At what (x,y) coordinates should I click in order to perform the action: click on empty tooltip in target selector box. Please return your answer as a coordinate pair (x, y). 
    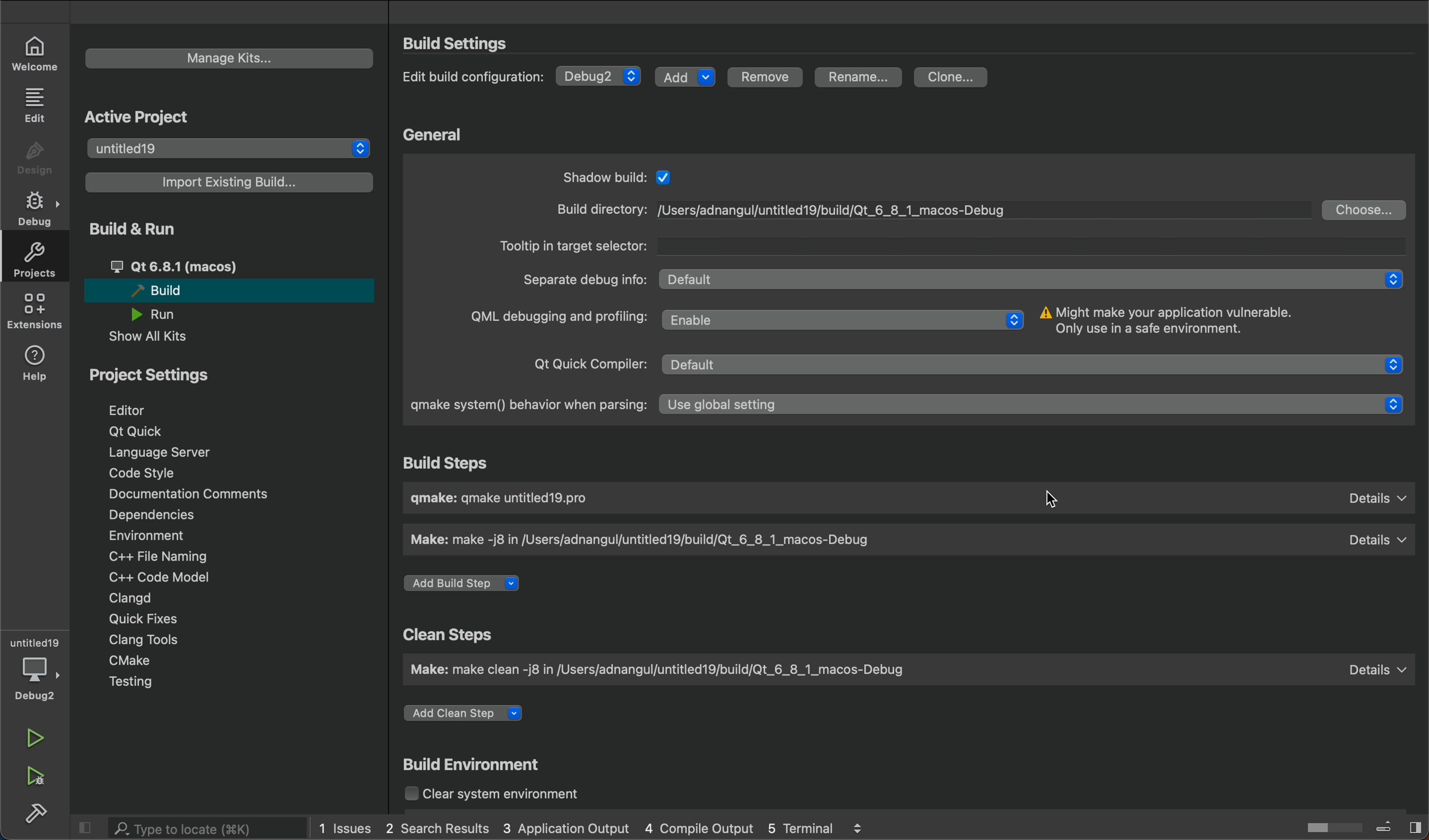
    Looking at the image, I should click on (1029, 243).